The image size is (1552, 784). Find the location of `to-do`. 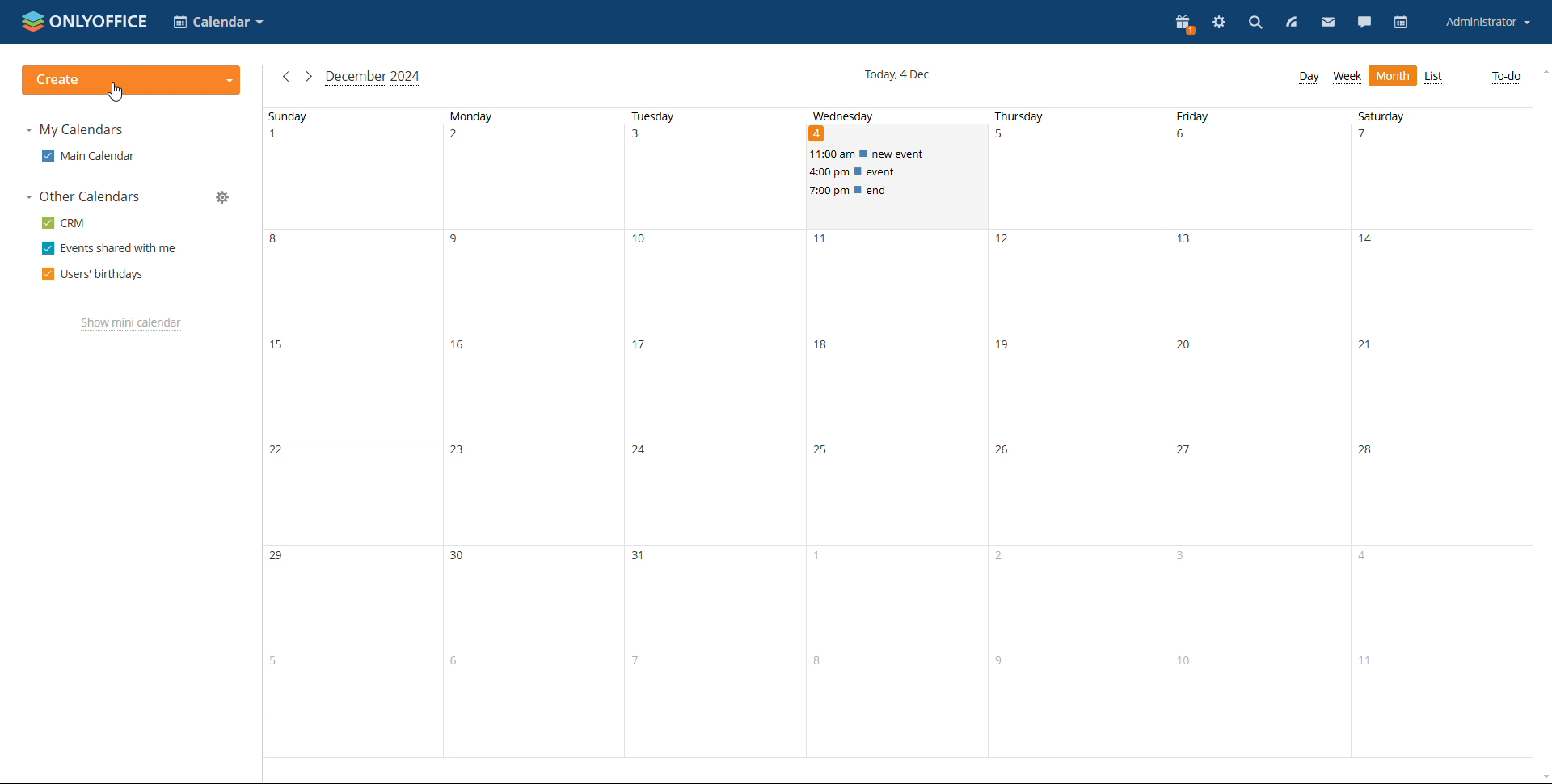

to-do is located at coordinates (1506, 78).